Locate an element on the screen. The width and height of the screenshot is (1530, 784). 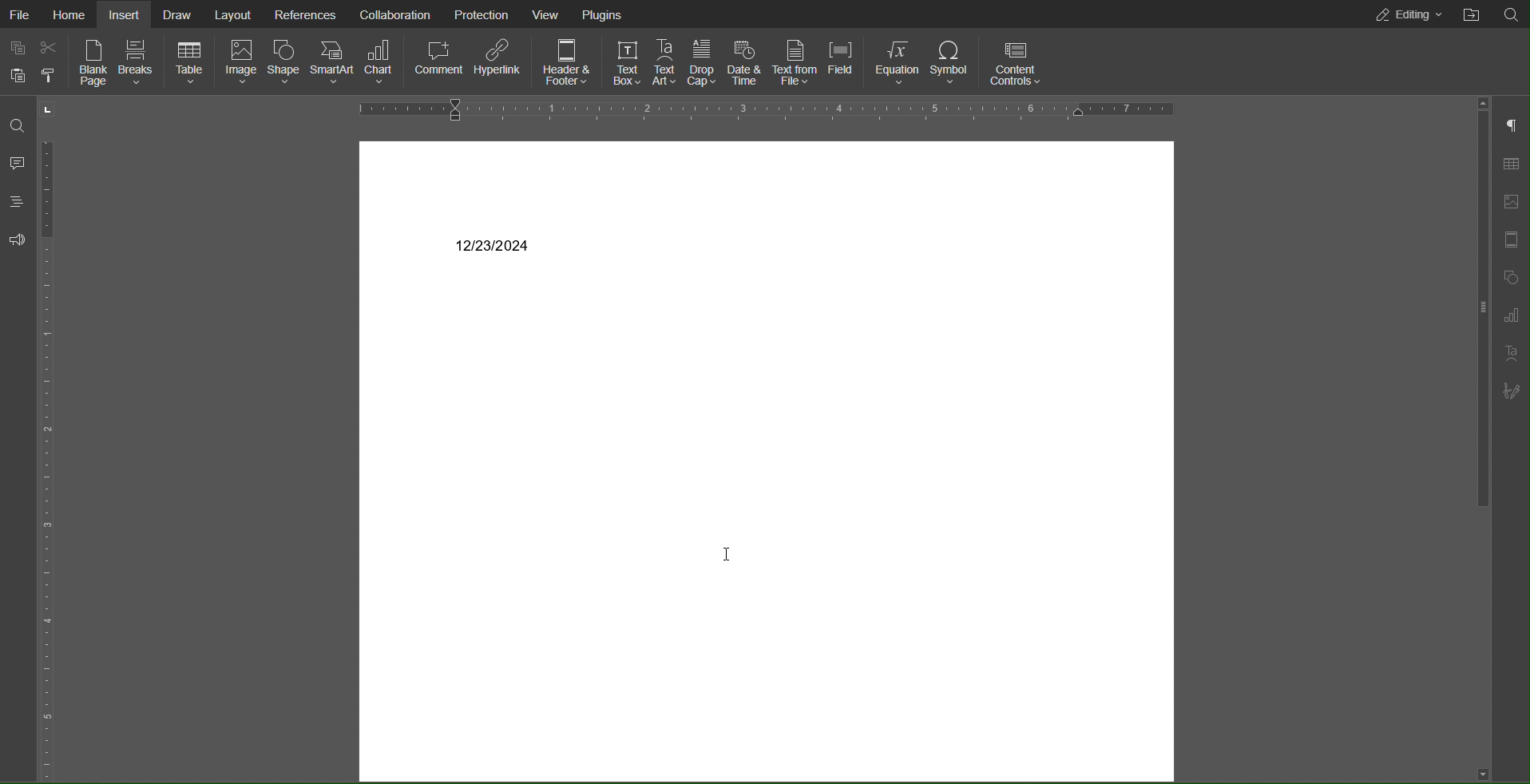
Shape Settings is located at coordinates (1514, 279).